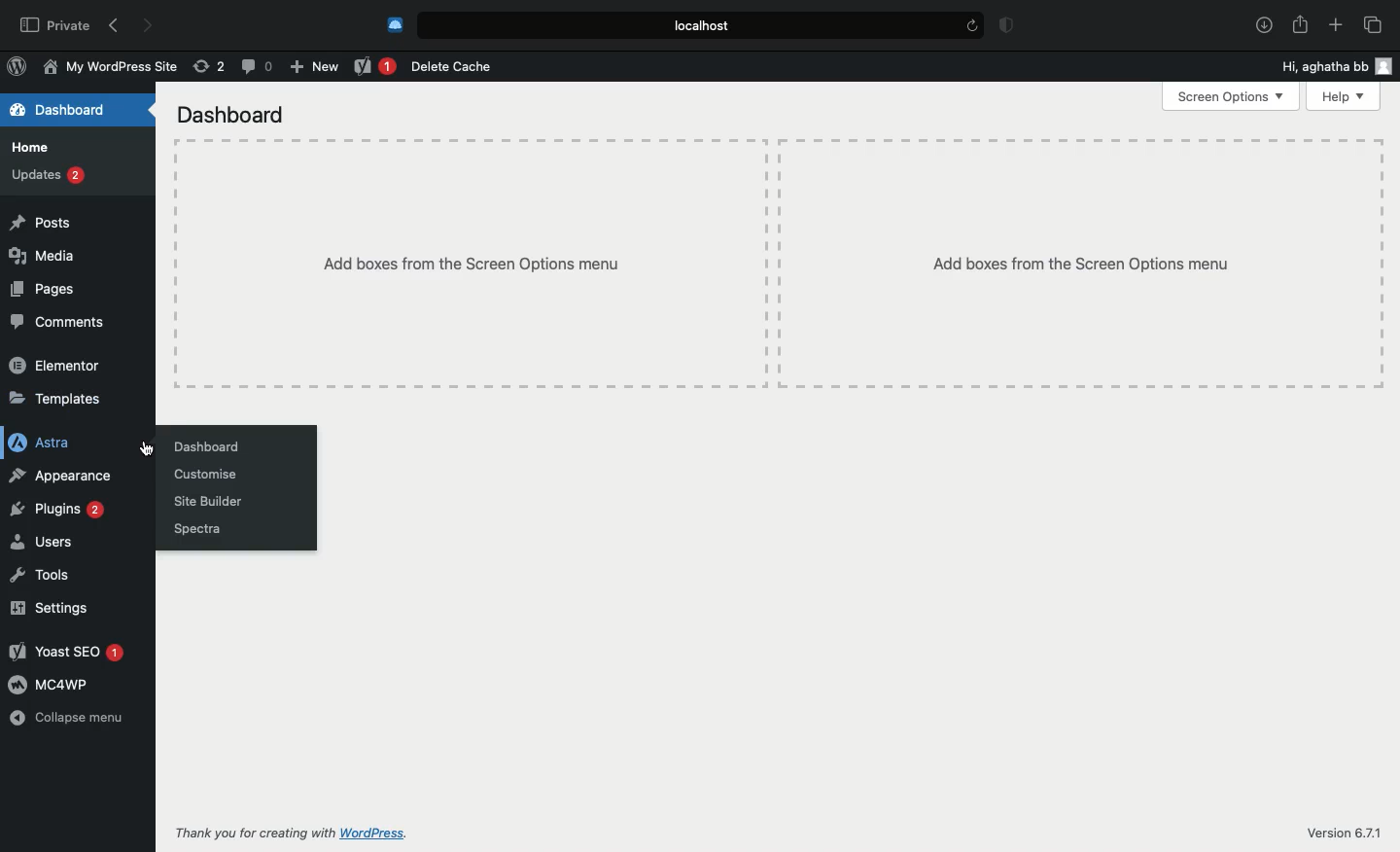  What do you see at coordinates (254, 833) in the screenshot?
I see `Thank you for creating with WordPress` at bounding box center [254, 833].